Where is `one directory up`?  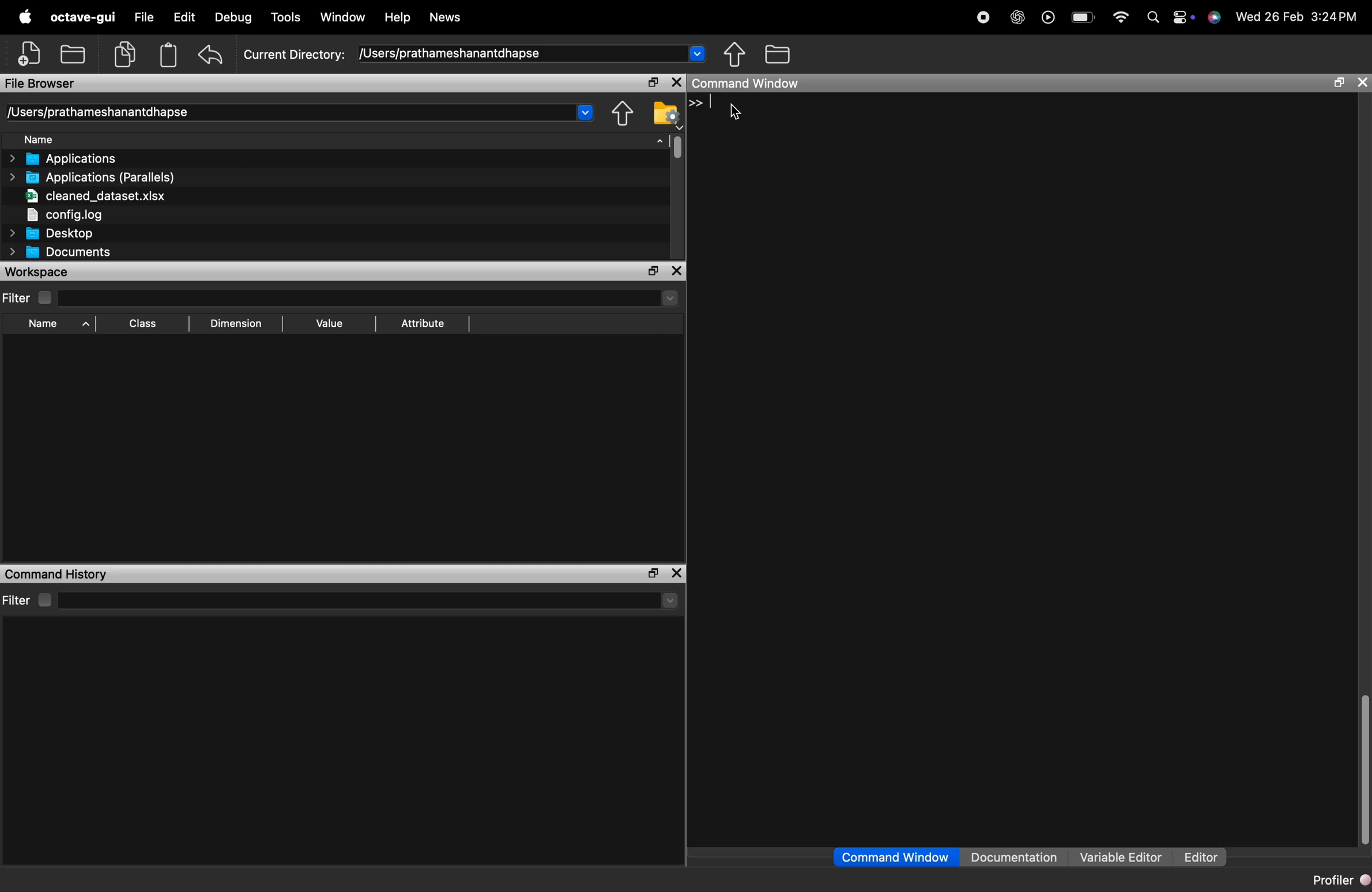 one directory up is located at coordinates (622, 113).